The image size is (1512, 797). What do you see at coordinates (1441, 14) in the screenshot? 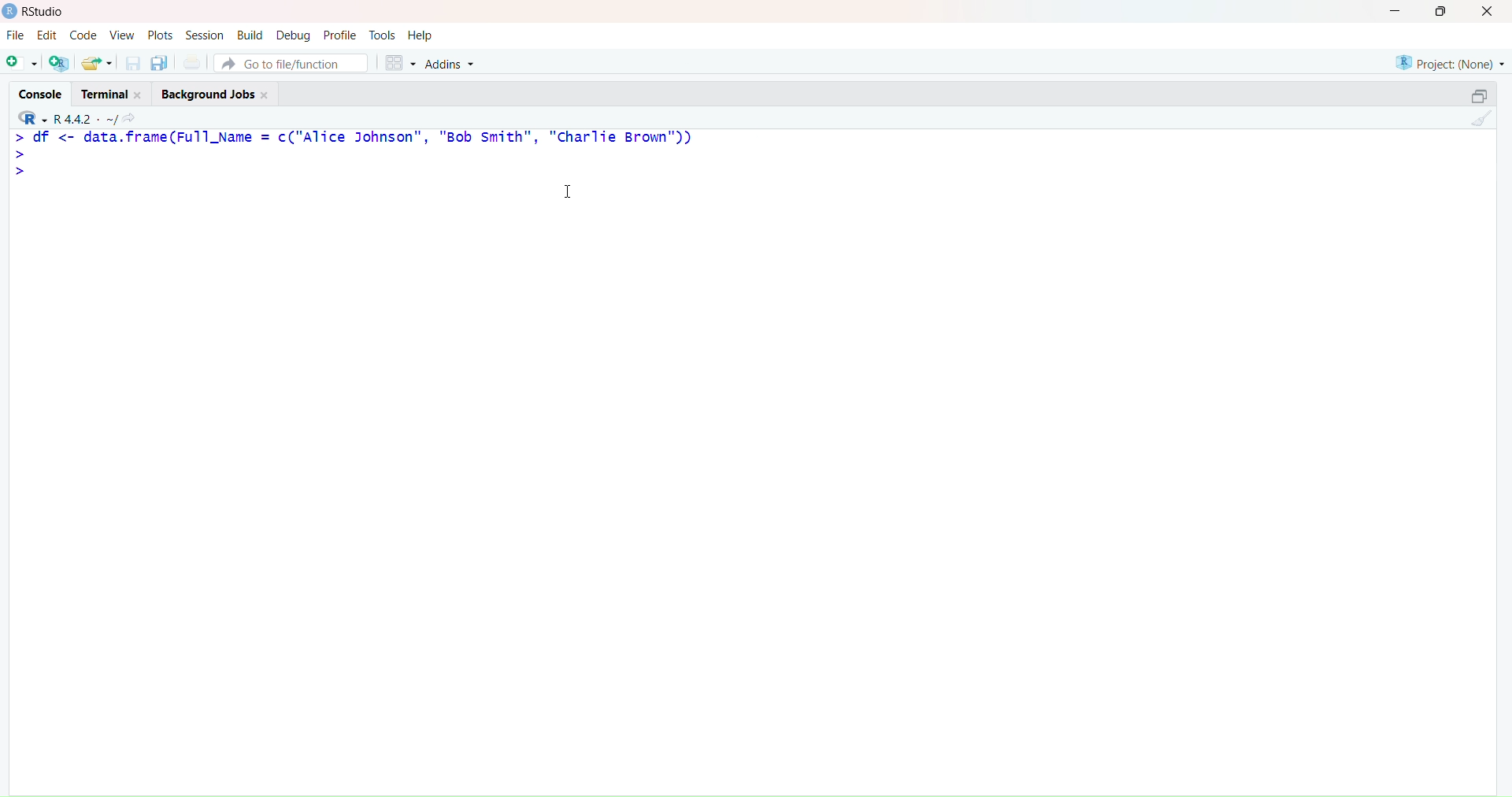
I see `Maximize` at bounding box center [1441, 14].